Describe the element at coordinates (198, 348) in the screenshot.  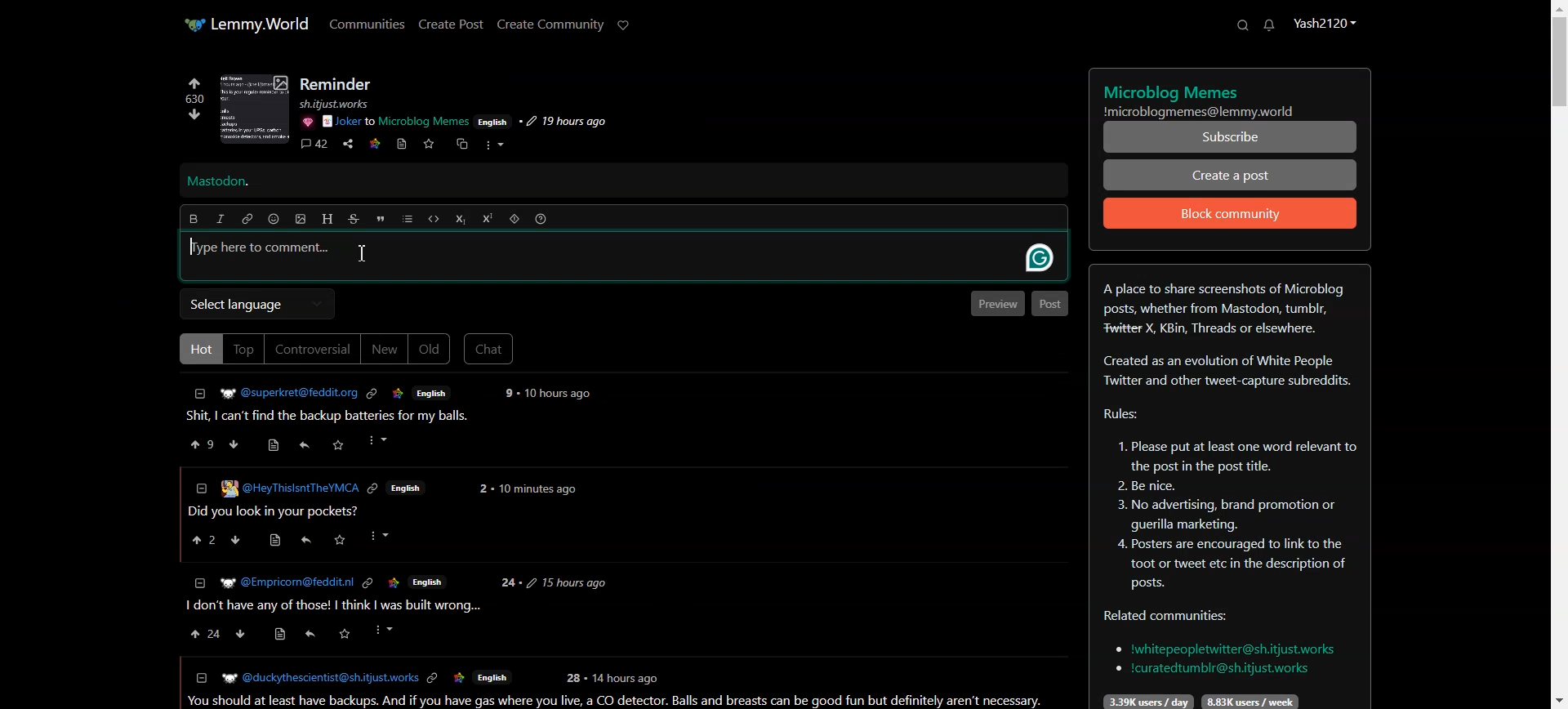
I see `Hot` at that location.